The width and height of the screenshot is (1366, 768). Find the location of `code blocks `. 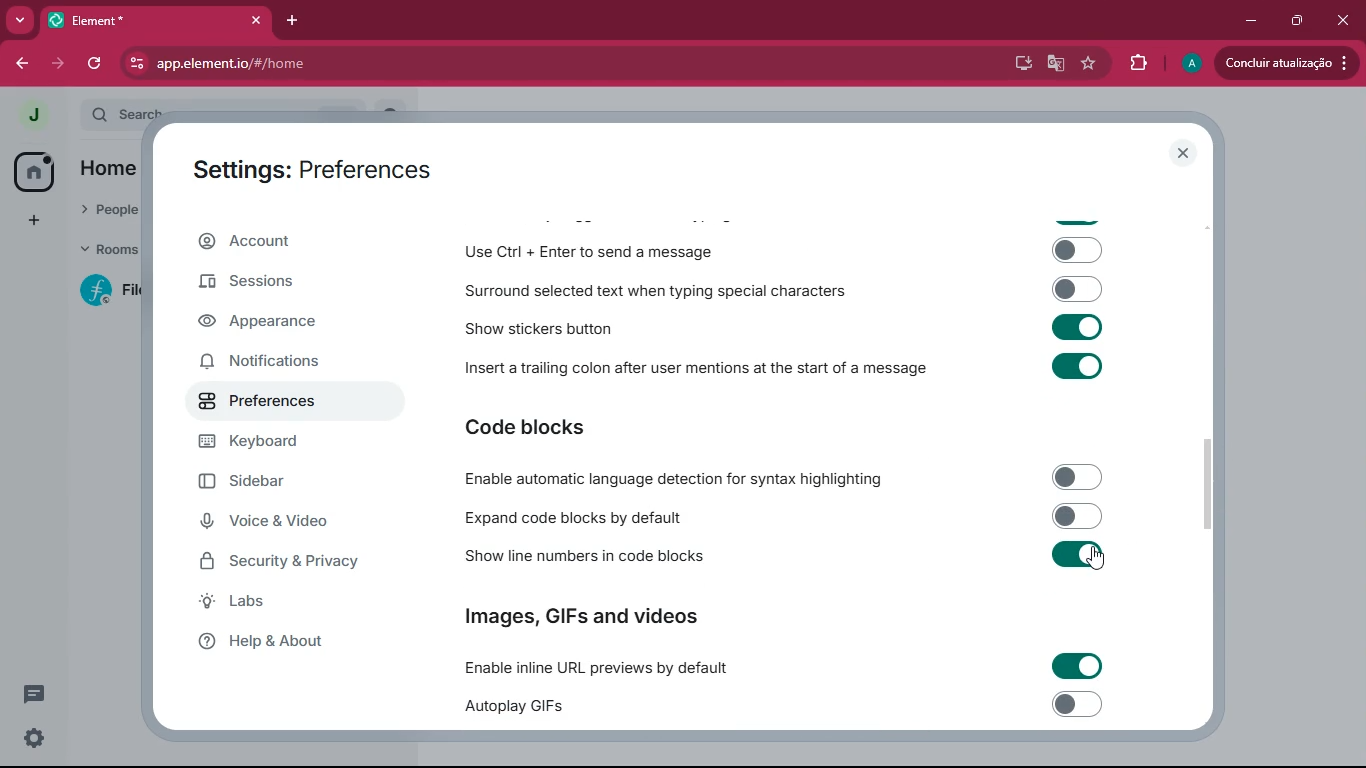

code blocks  is located at coordinates (539, 429).